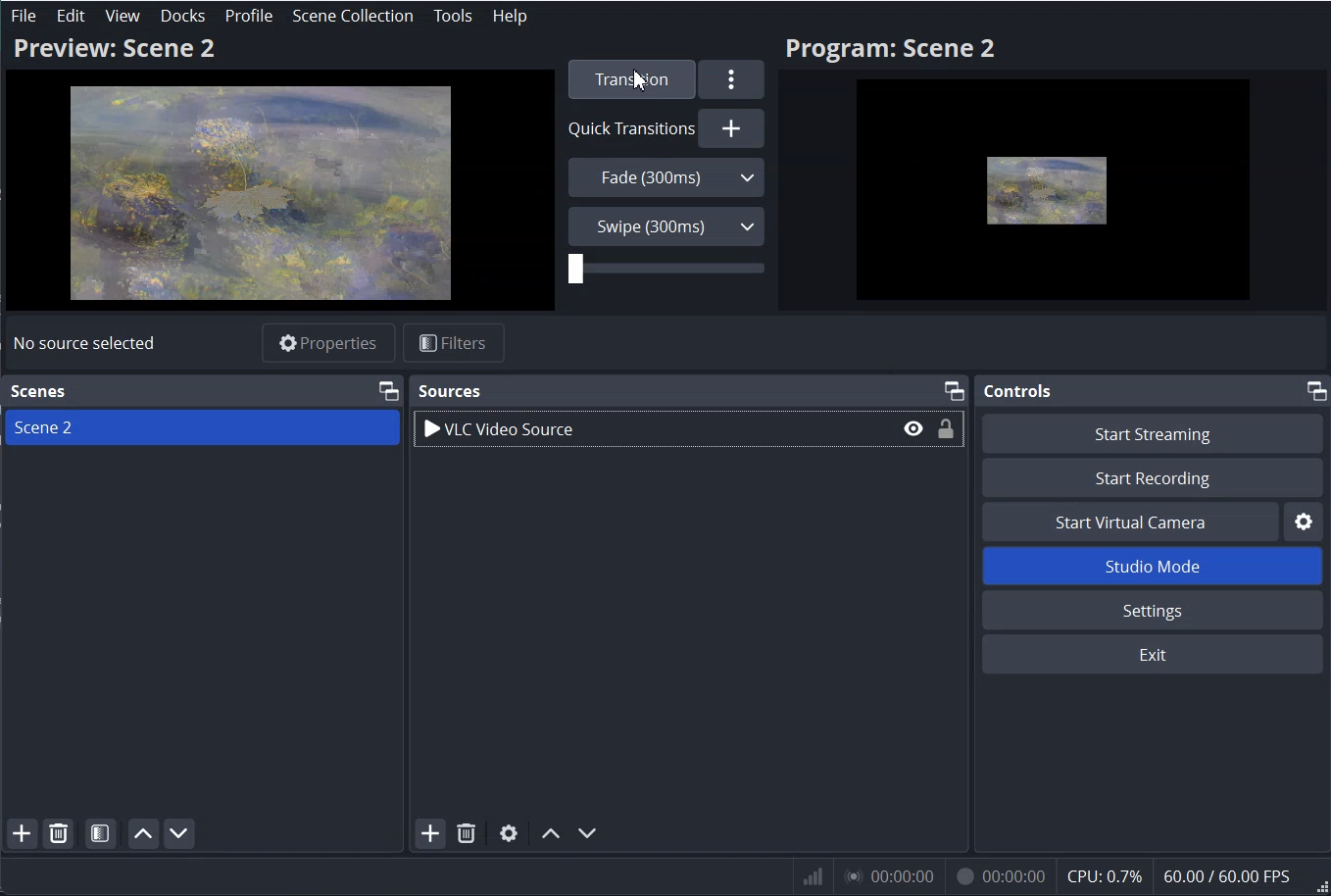  Describe the element at coordinates (1054, 173) in the screenshot. I see `Preview scene 2 ` at that location.